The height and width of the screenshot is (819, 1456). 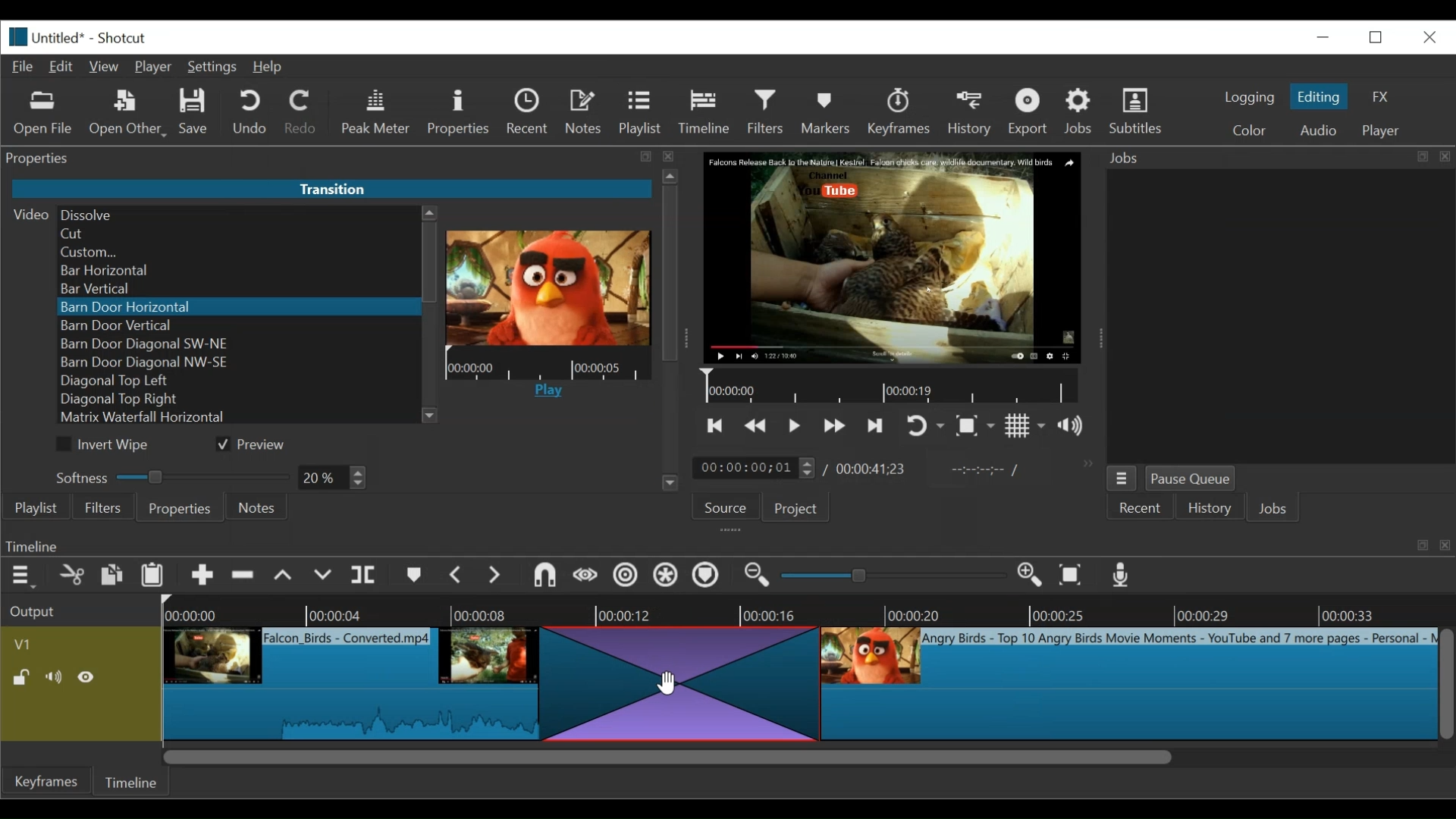 I want to click on Open File, so click(x=43, y=114).